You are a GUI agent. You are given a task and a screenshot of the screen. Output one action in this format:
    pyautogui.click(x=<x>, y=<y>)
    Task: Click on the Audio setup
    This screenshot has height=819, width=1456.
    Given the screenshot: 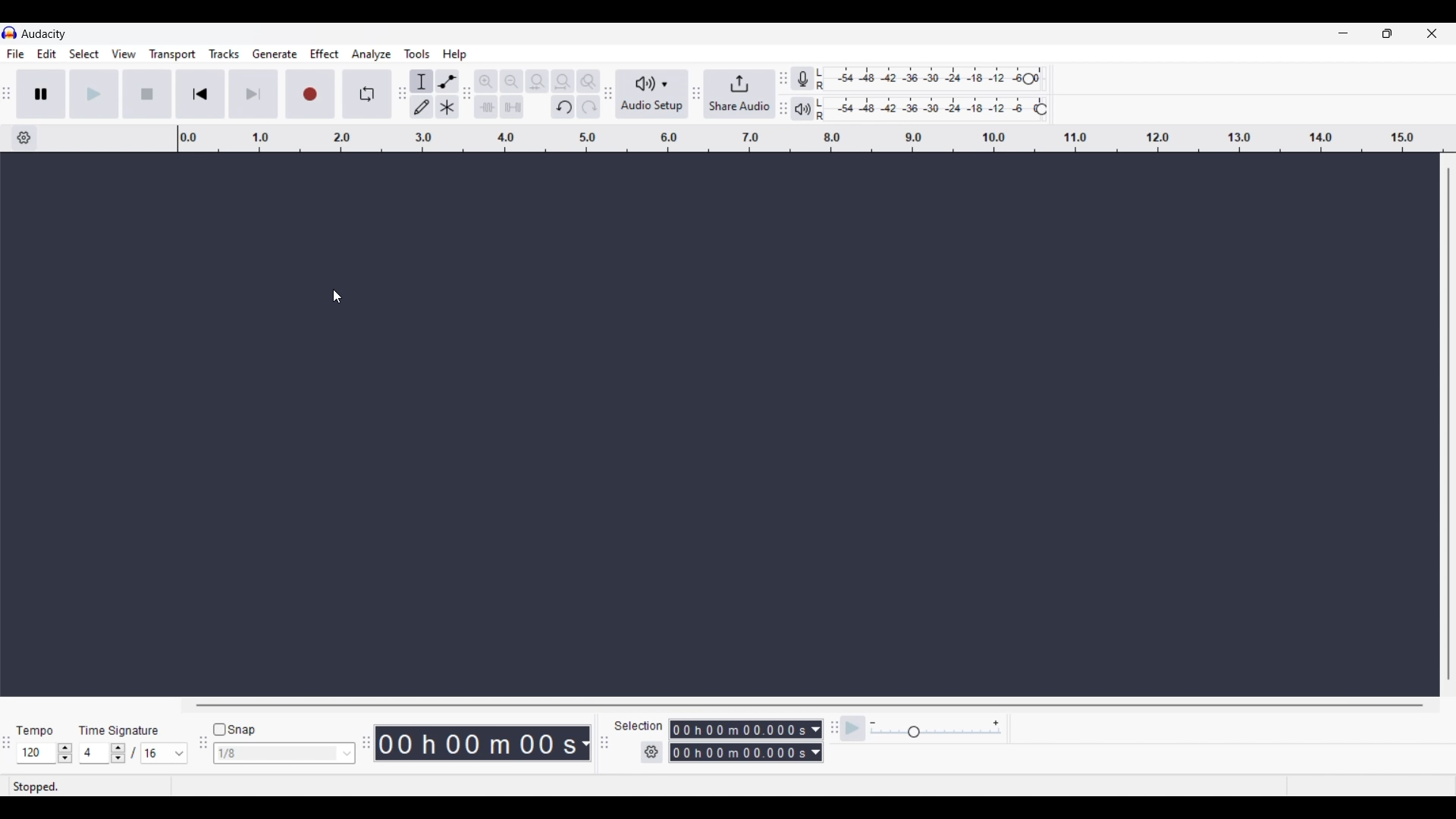 What is the action you would take?
    pyautogui.click(x=652, y=94)
    